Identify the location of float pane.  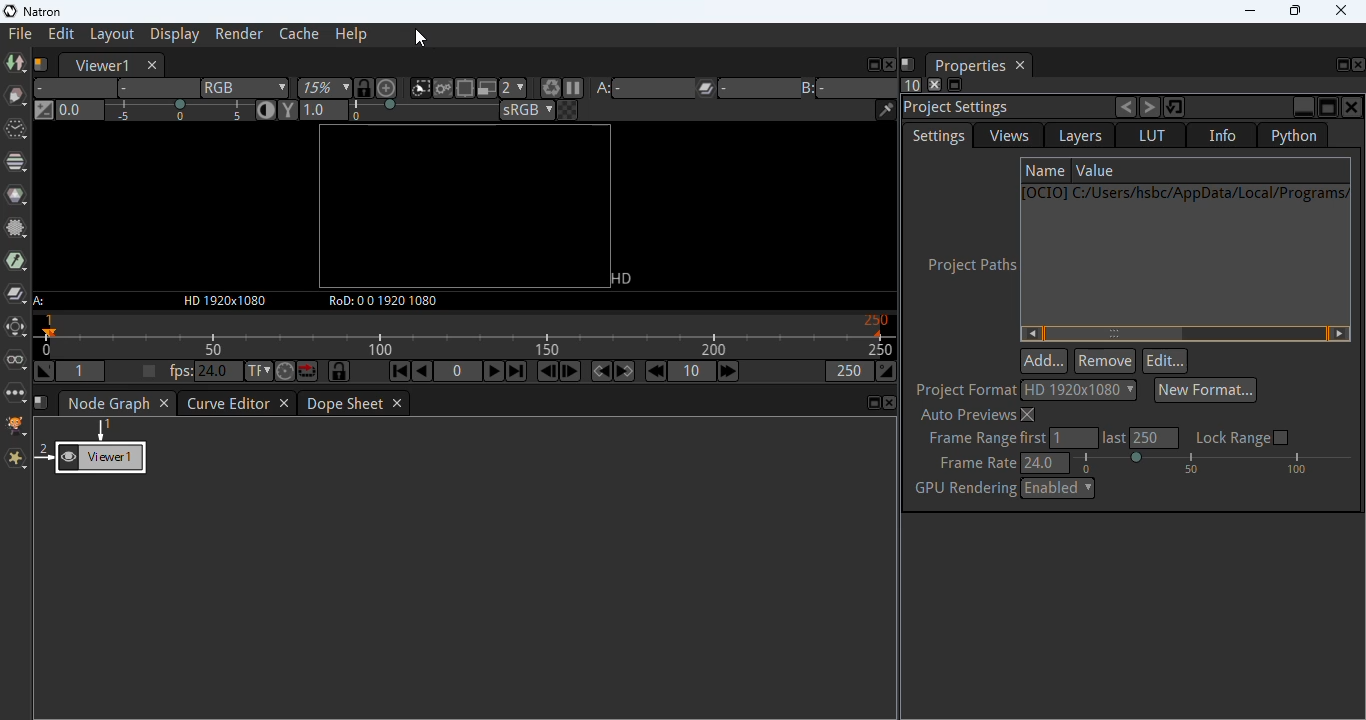
(1328, 107).